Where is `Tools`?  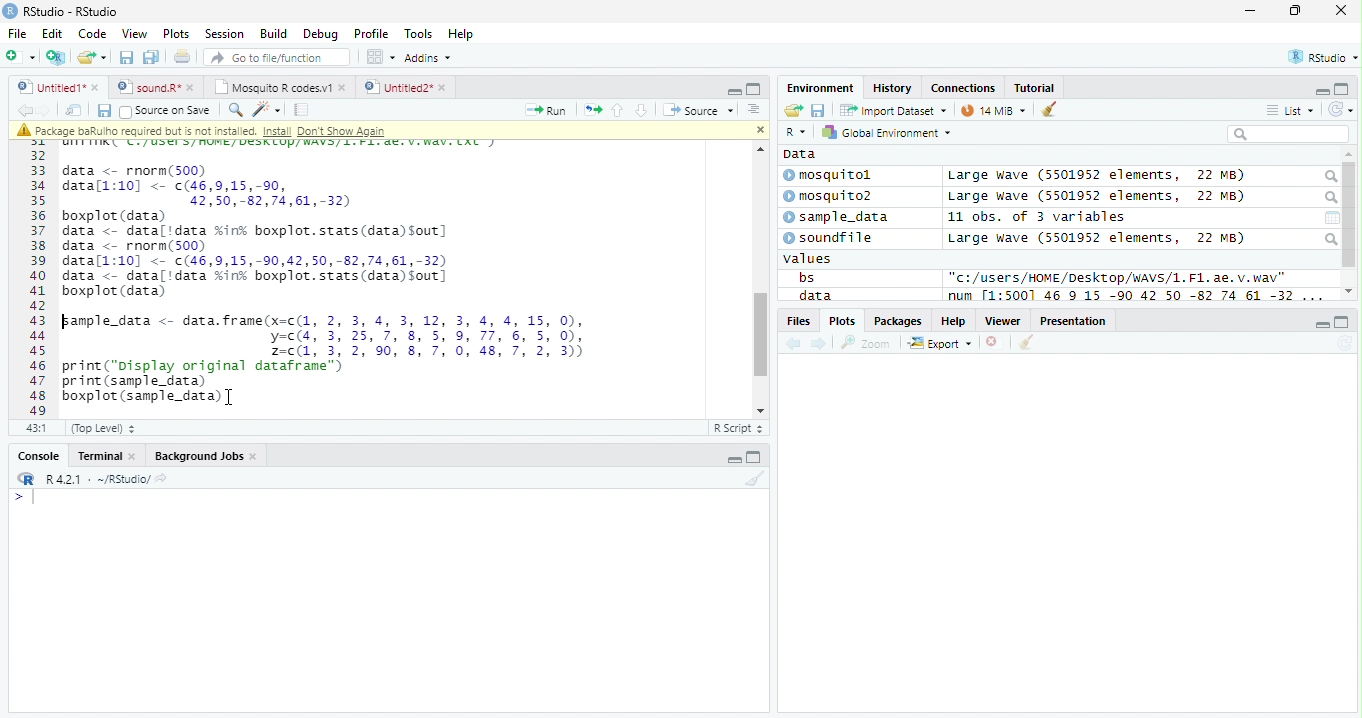 Tools is located at coordinates (418, 35).